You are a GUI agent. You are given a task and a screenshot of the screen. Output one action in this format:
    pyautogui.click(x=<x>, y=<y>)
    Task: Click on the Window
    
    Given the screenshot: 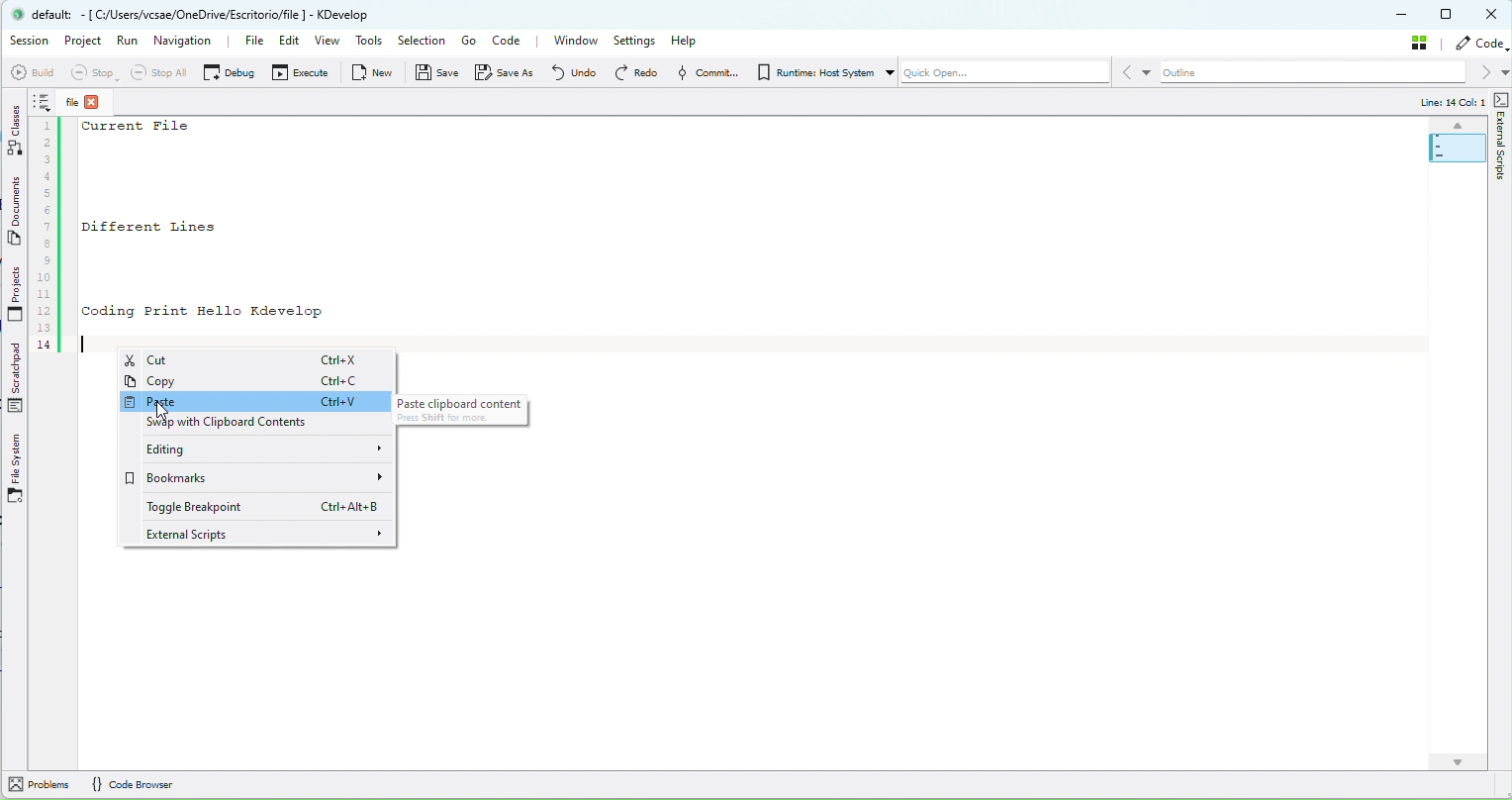 What is the action you would take?
    pyautogui.click(x=575, y=41)
    